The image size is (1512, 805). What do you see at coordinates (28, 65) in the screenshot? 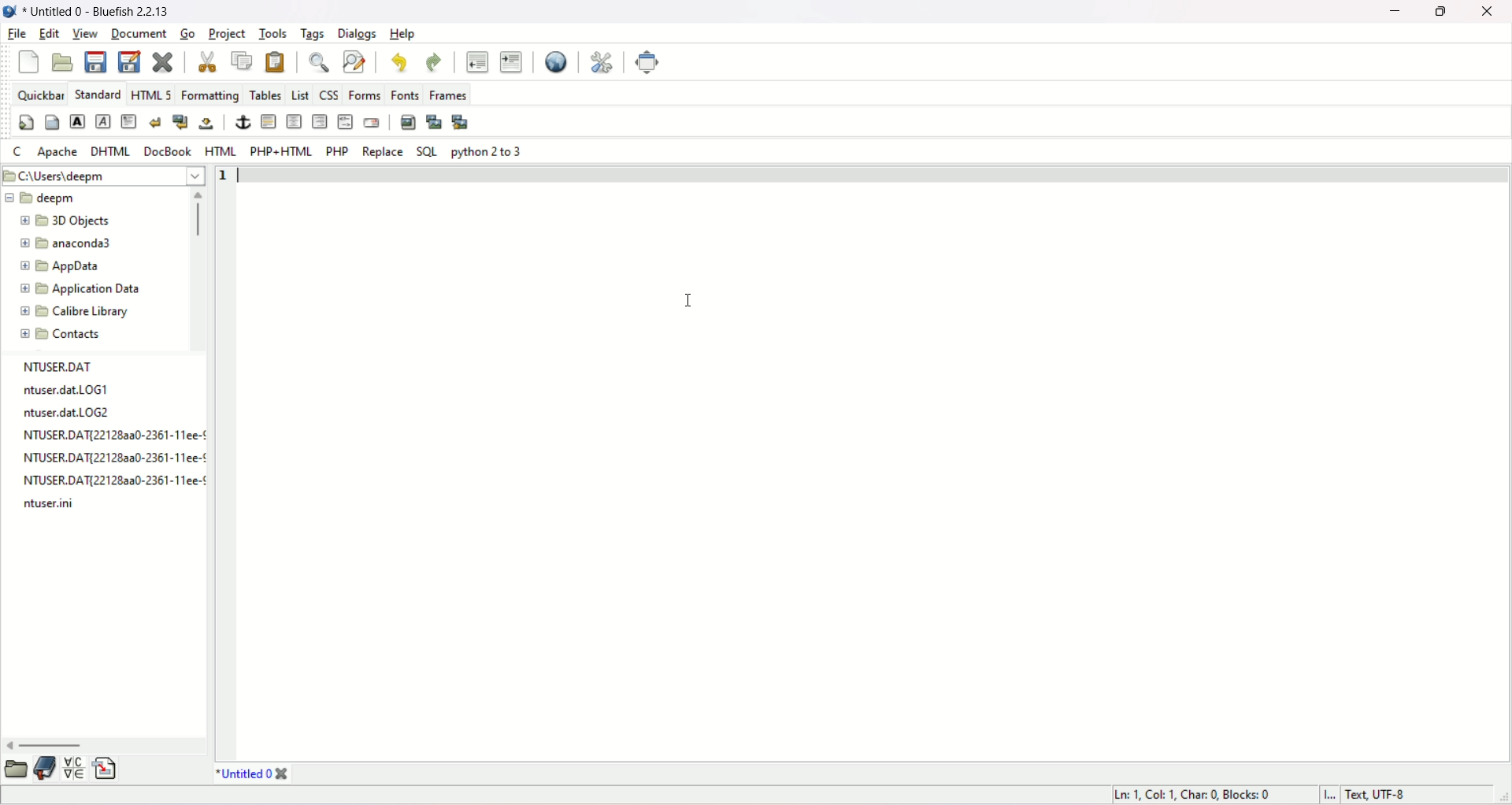
I see `new file` at bounding box center [28, 65].